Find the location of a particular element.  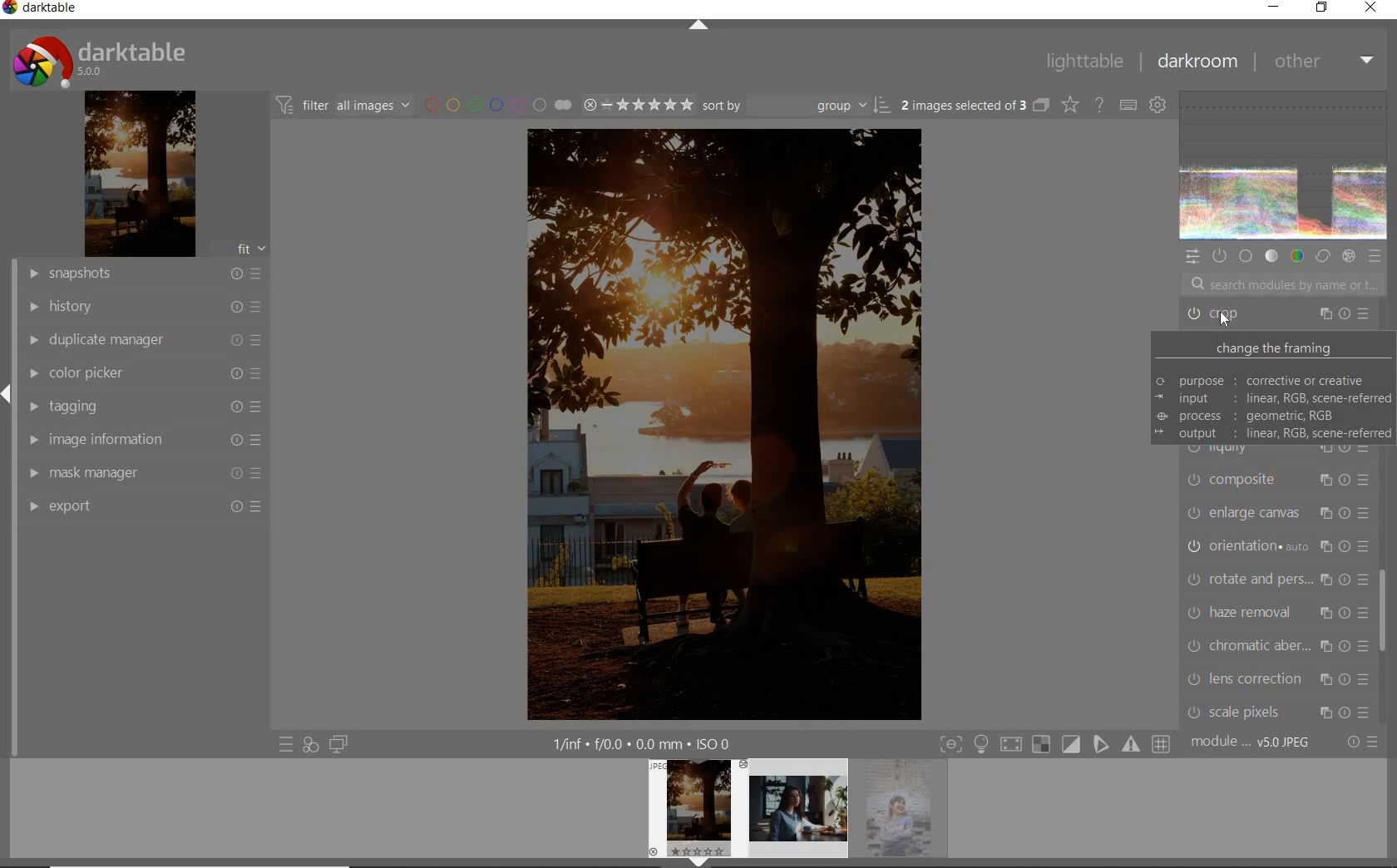

color picker is located at coordinates (142, 374).